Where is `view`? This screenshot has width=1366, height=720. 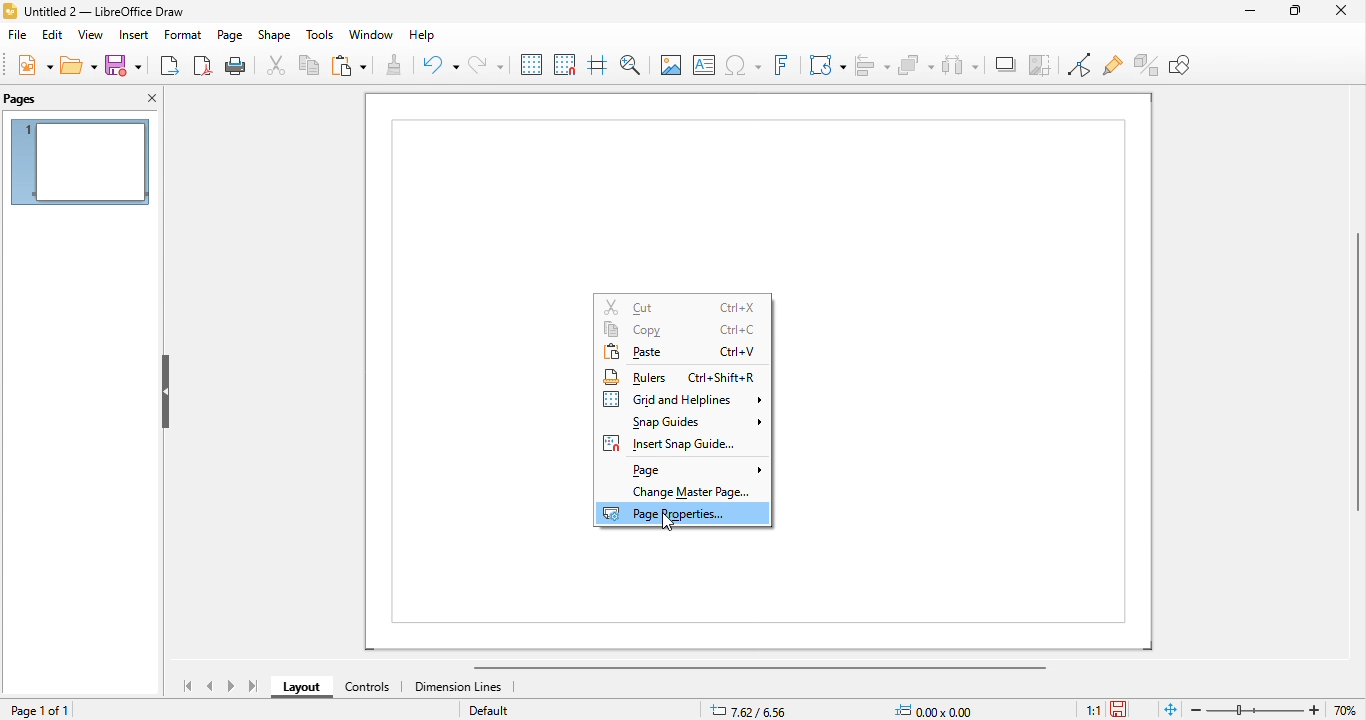 view is located at coordinates (91, 35).